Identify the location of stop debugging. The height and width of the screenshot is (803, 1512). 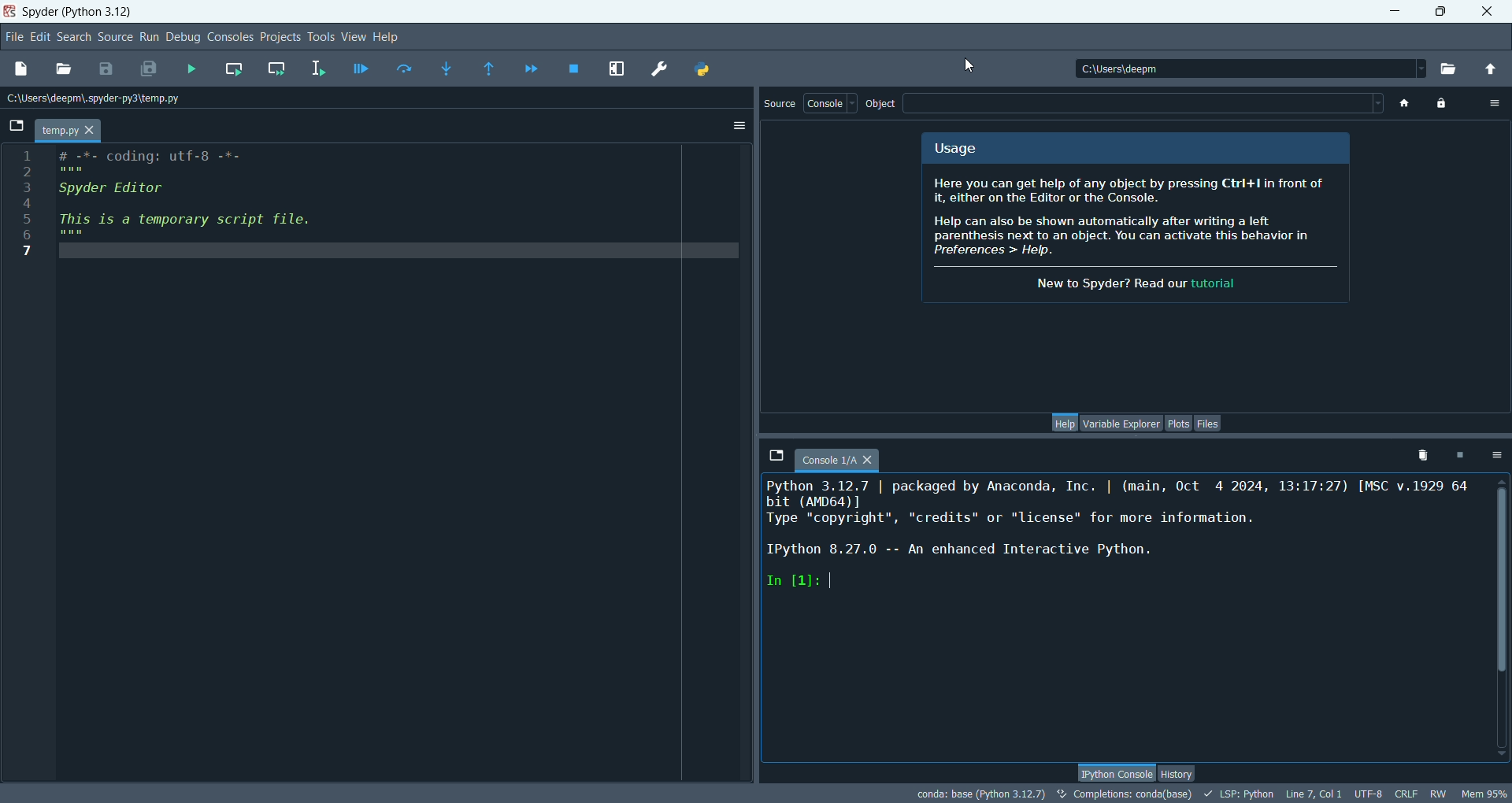
(574, 68).